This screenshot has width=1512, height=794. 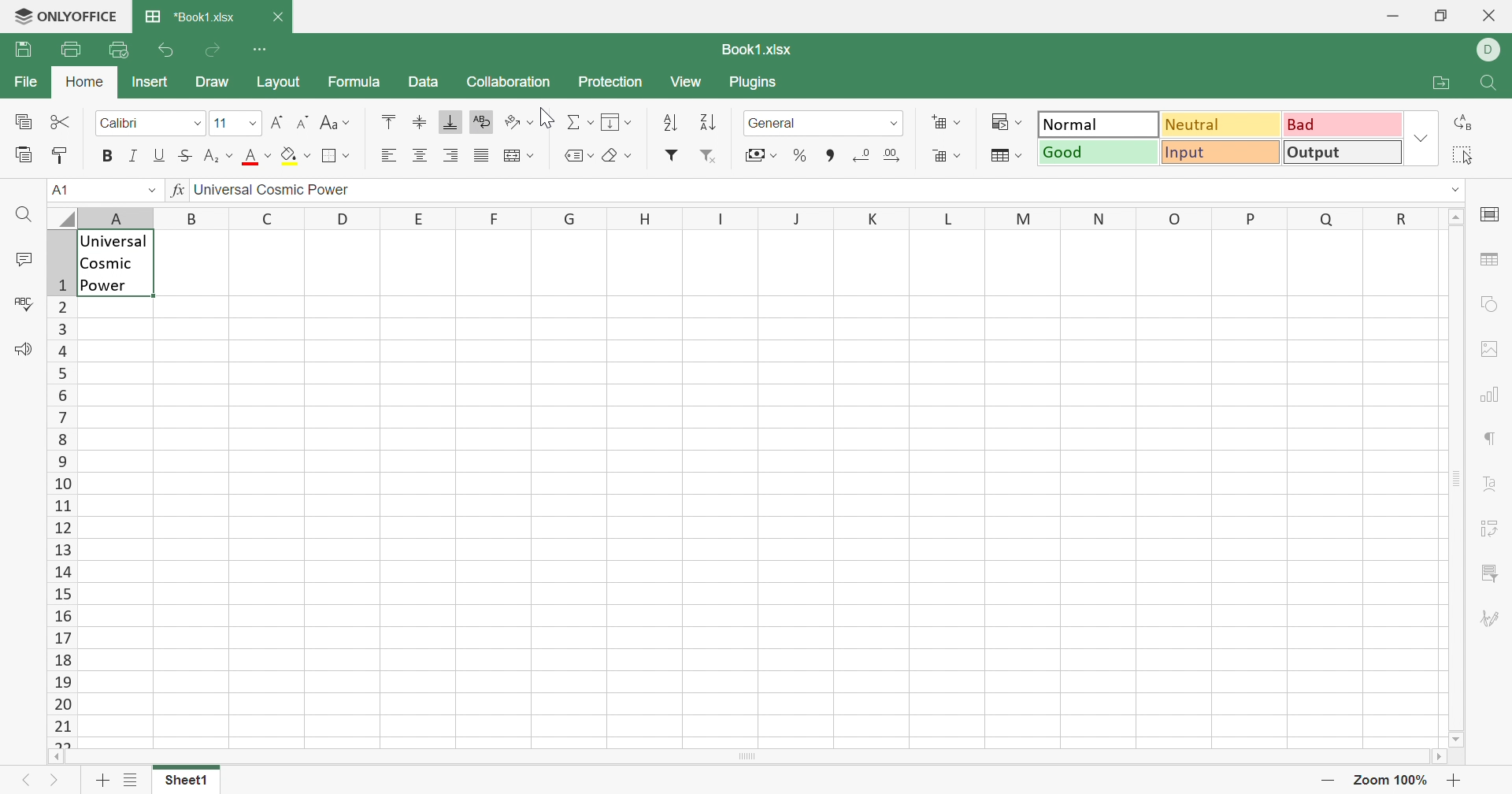 What do you see at coordinates (1458, 195) in the screenshot?
I see `Drop Down` at bounding box center [1458, 195].